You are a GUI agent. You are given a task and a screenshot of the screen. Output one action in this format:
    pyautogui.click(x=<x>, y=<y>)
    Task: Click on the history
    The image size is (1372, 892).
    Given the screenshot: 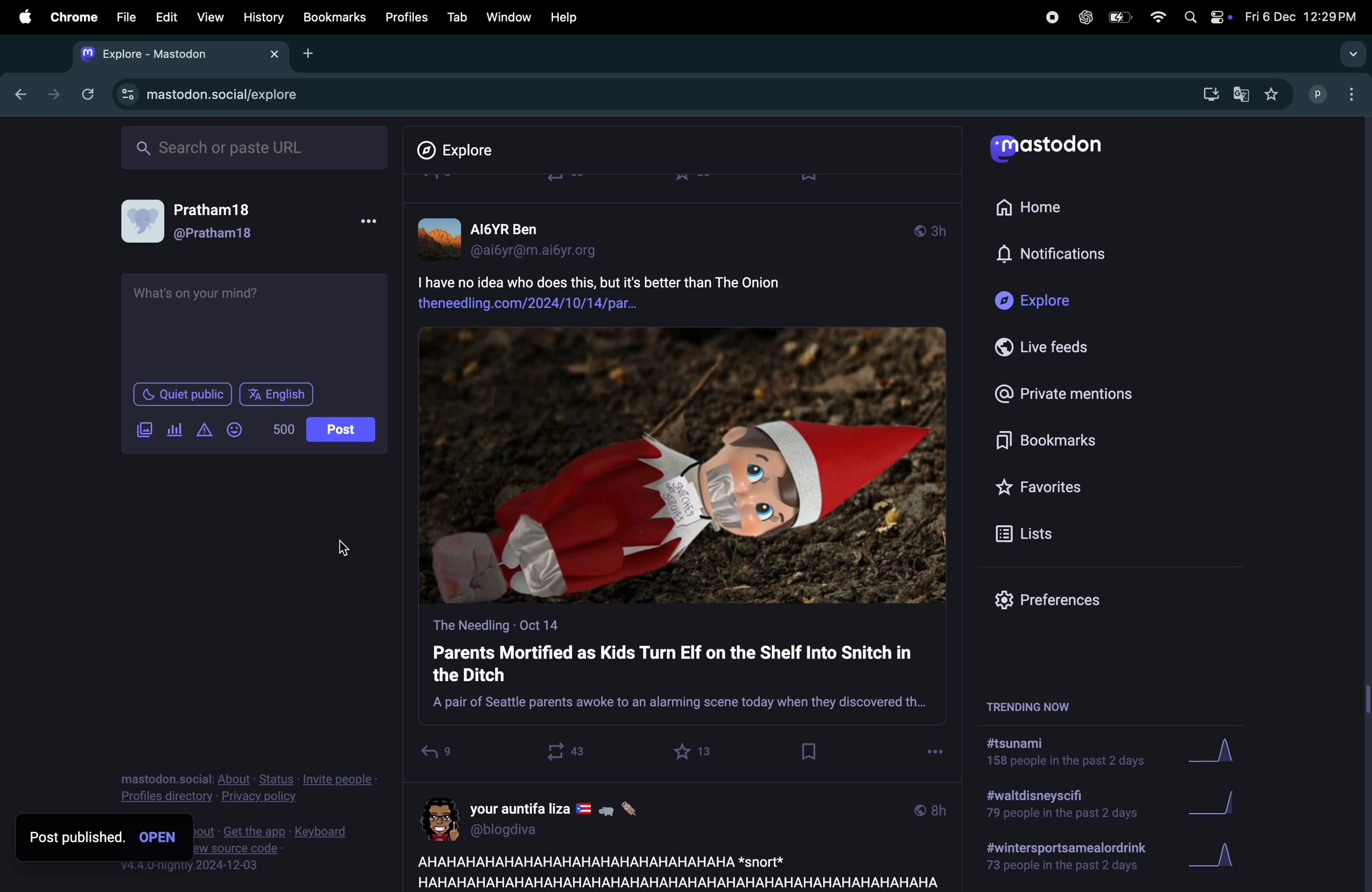 What is the action you would take?
    pyautogui.click(x=265, y=17)
    